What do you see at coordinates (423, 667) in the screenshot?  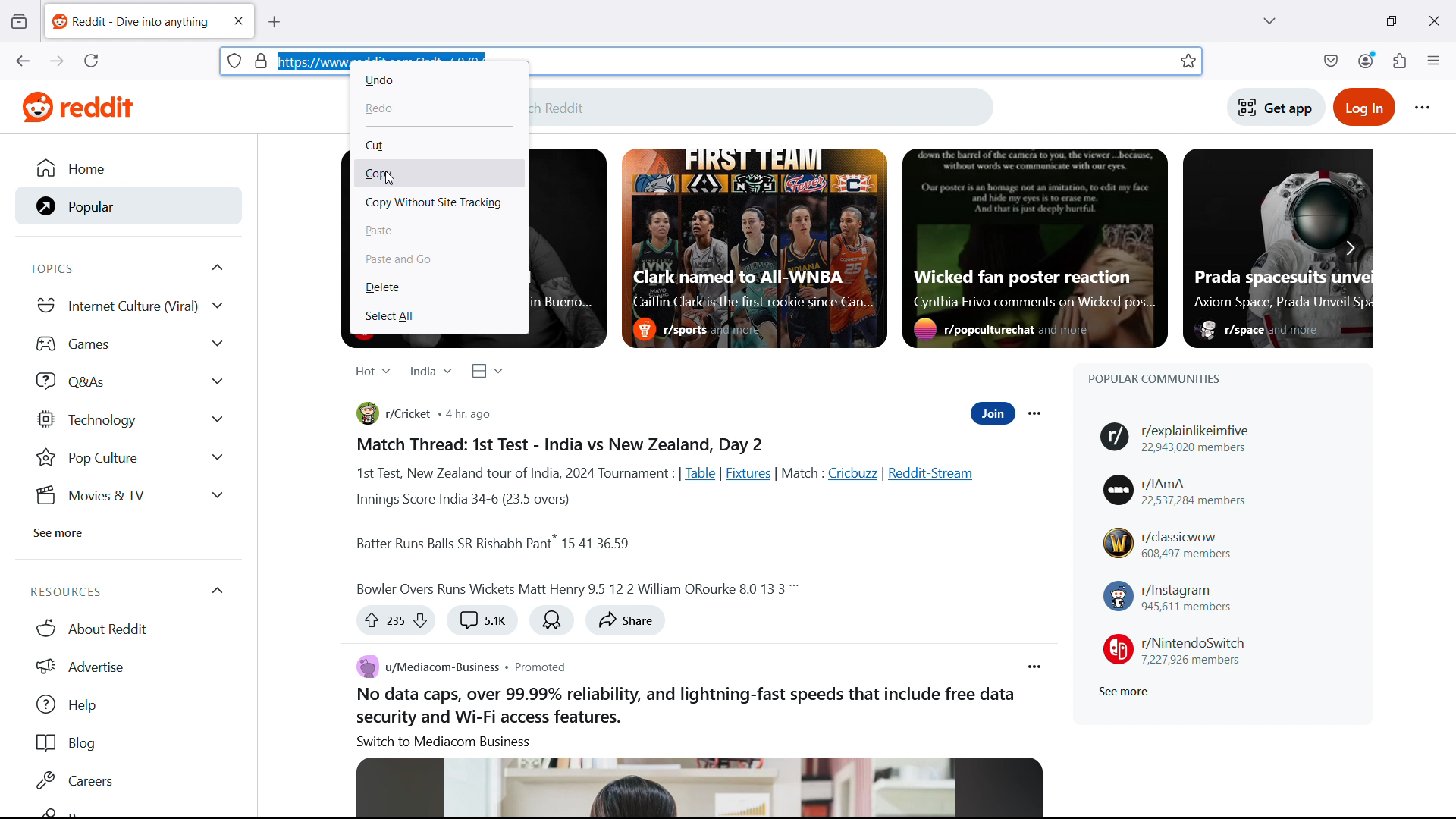 I see `u/mediacom-business community` at bounding box center [423, 667].